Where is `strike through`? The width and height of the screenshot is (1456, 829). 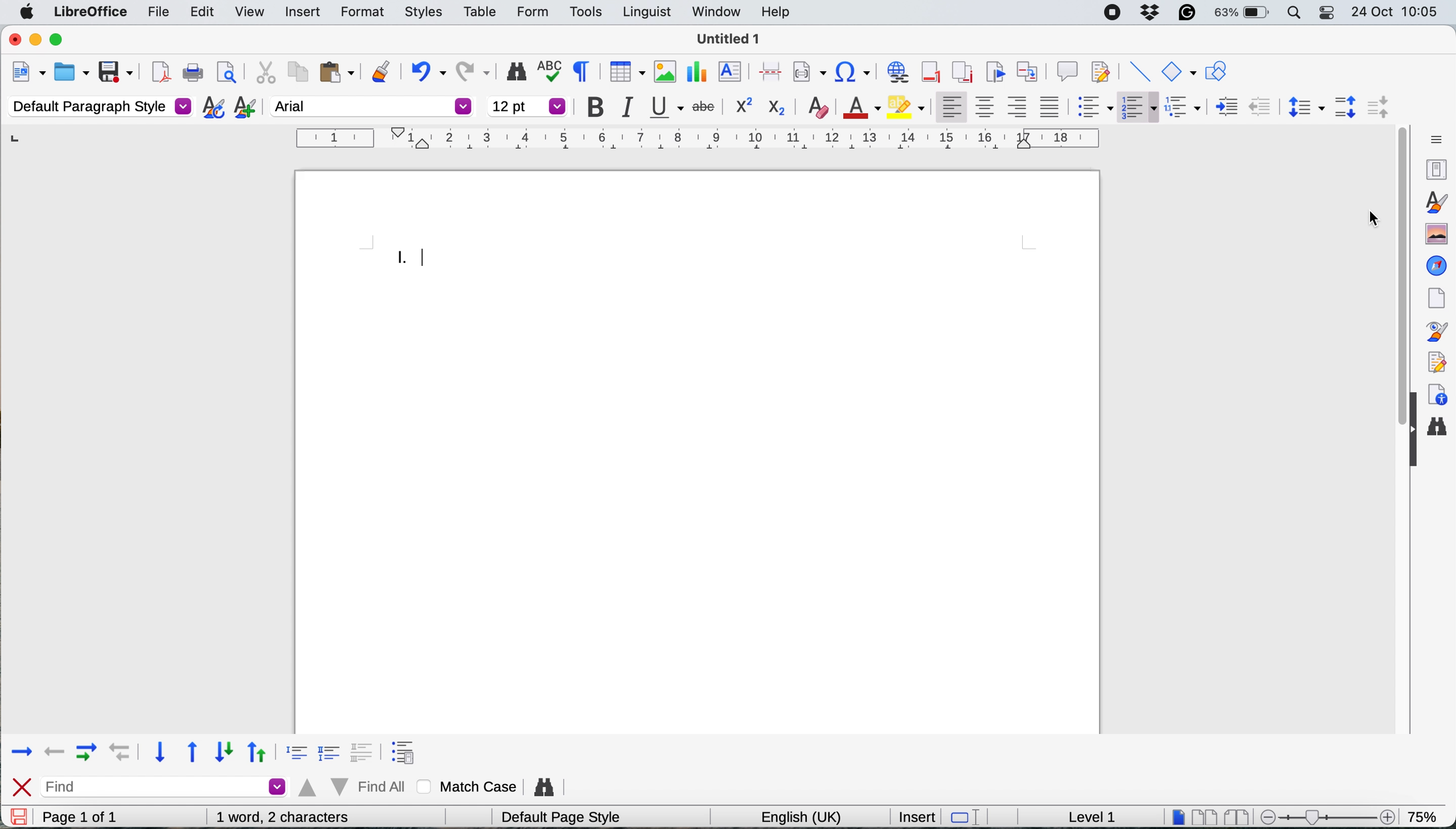 strike through is located at coordinates (706, 104).